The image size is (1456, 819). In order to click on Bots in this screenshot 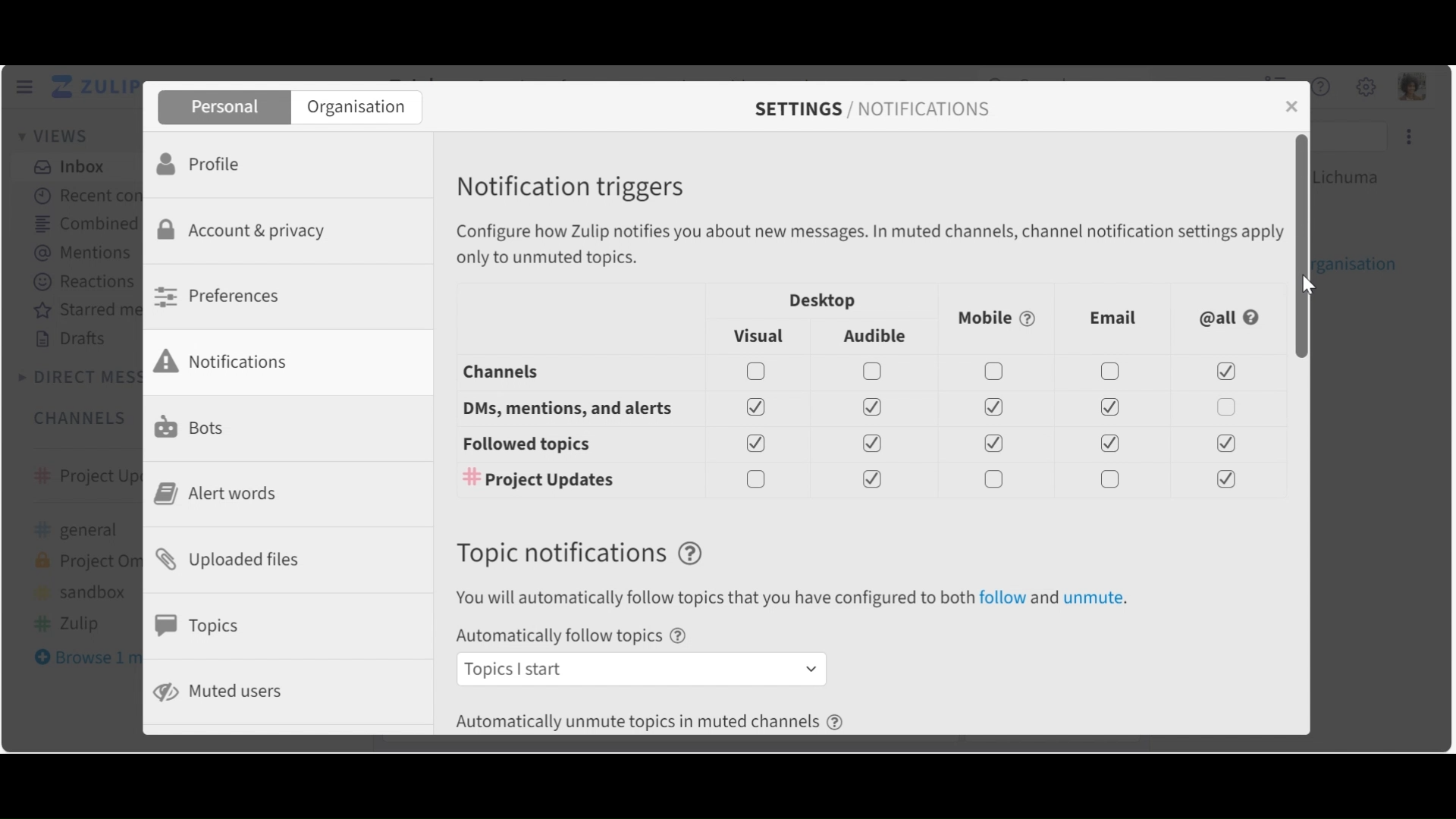, I will do `click(193, 425)`.